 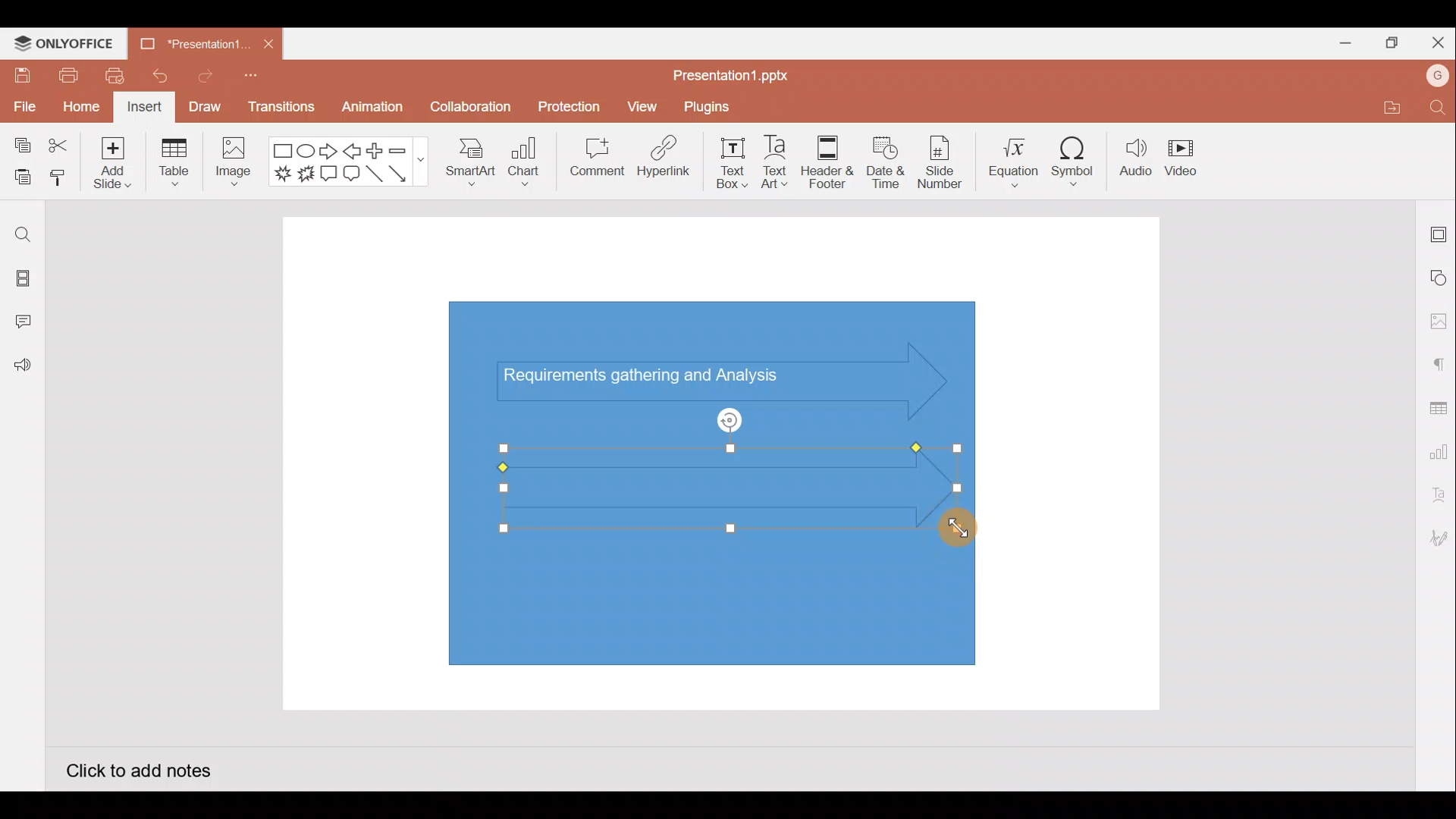 I want to click on File, so click(x=23, y=104).